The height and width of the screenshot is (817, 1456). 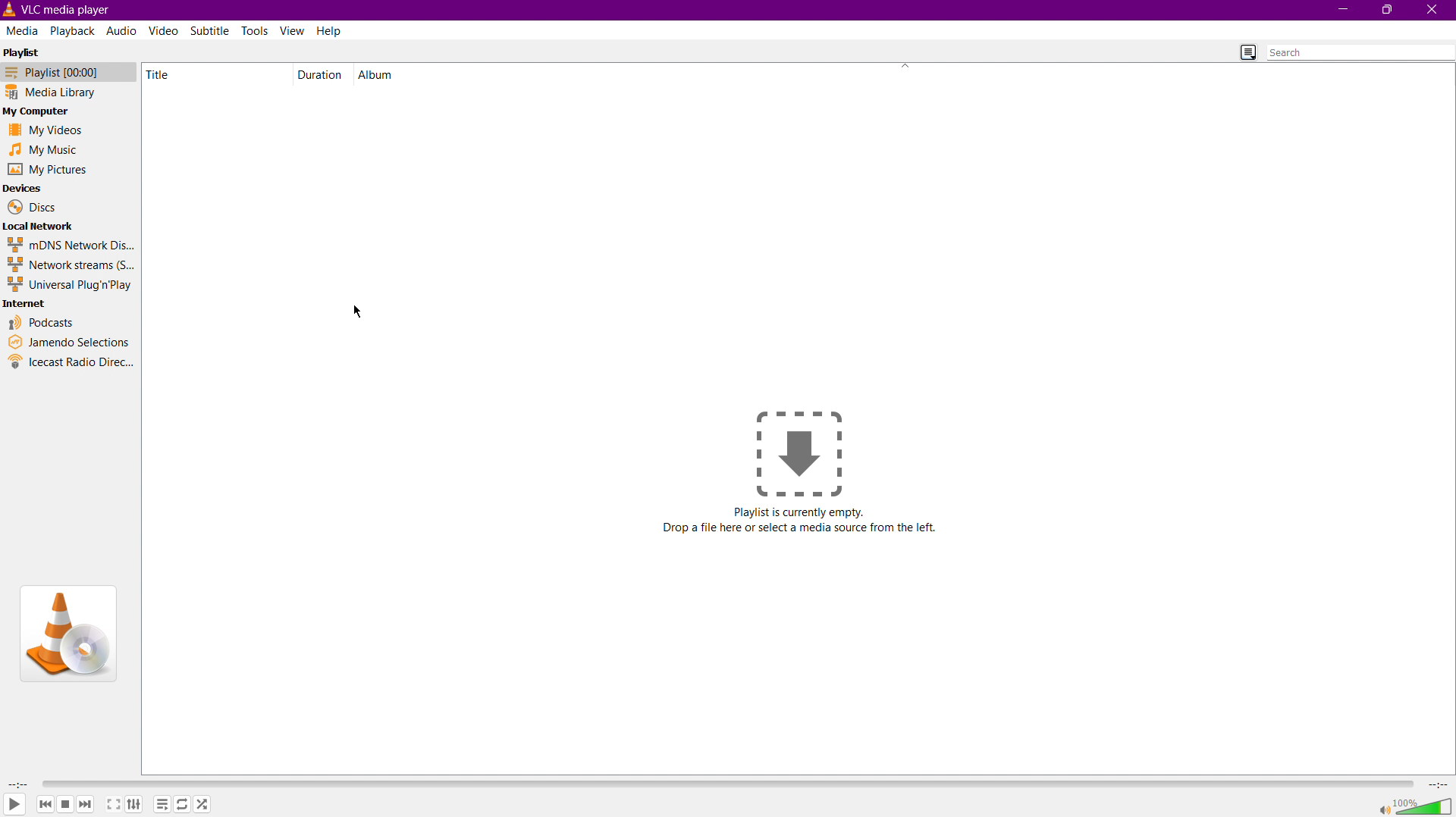 What do you see at coordinates (44, 803) in the screenshot?
I see `Skip Back` at bounding box center [44, 803].